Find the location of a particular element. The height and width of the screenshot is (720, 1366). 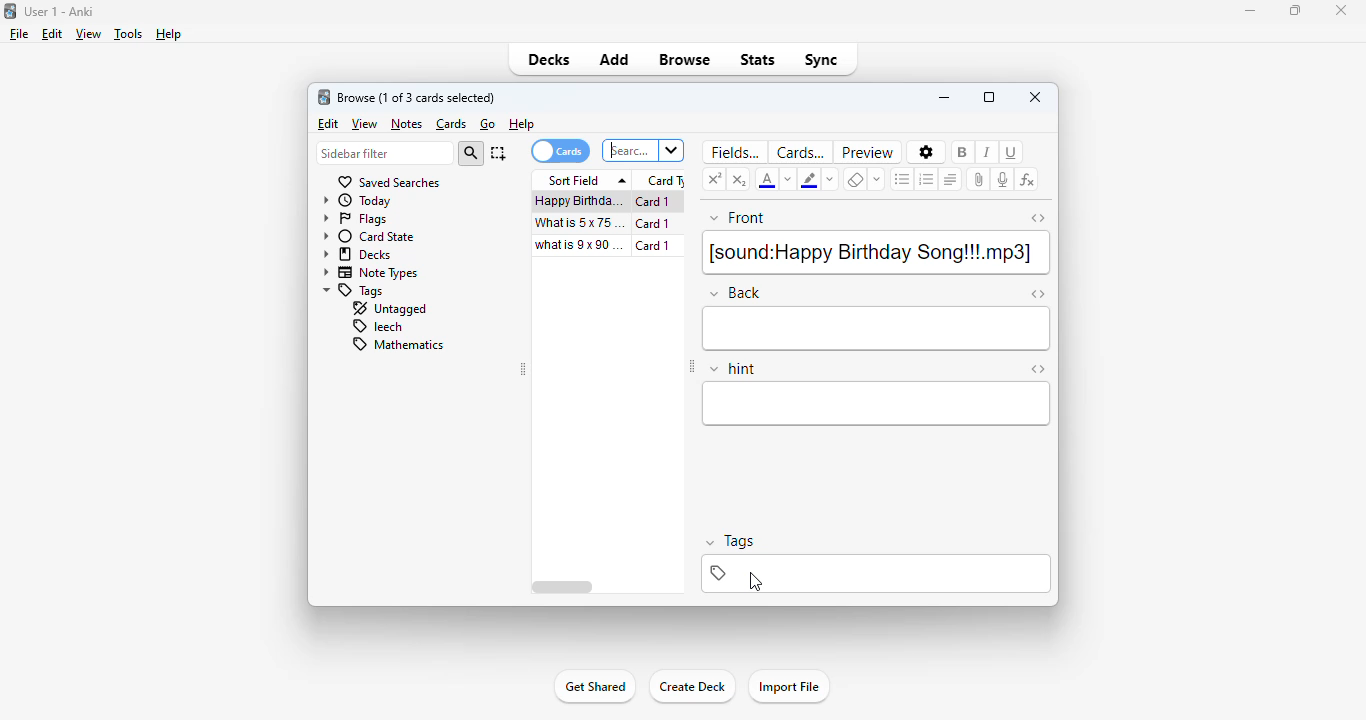

back is located at coordinates (734, 292).